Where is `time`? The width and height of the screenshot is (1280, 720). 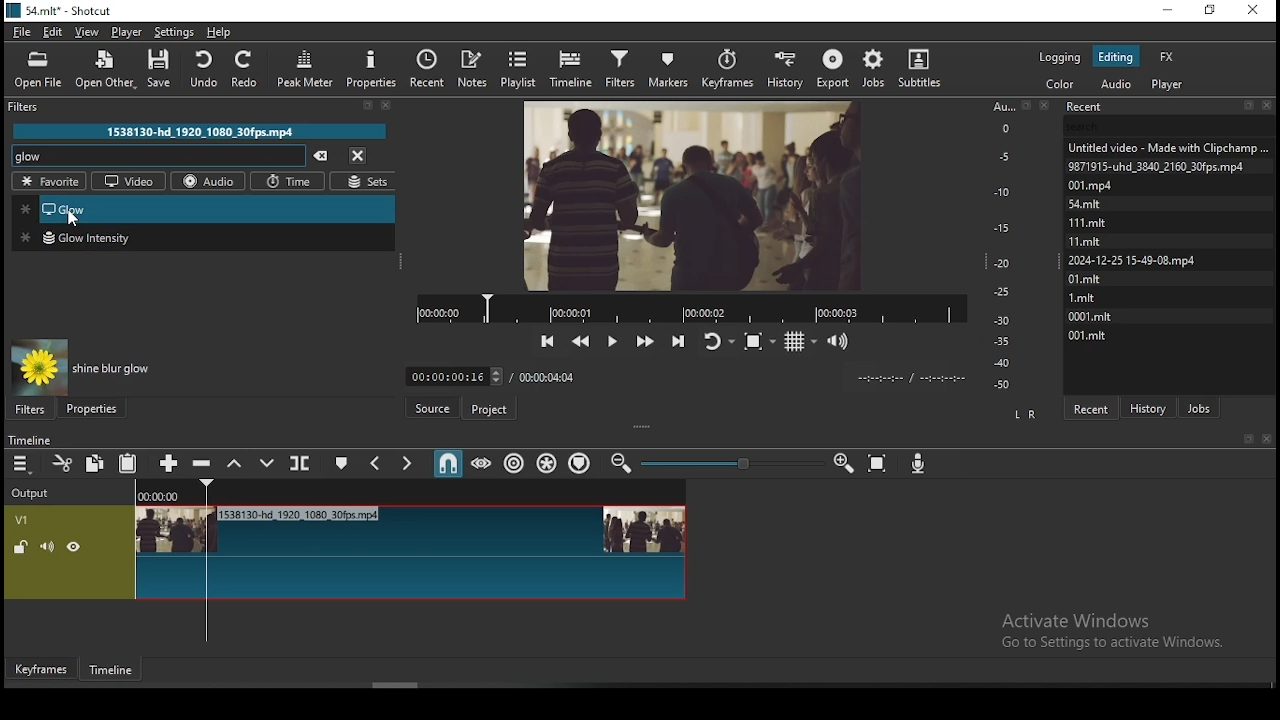
time is located at coordinates (290, 183).